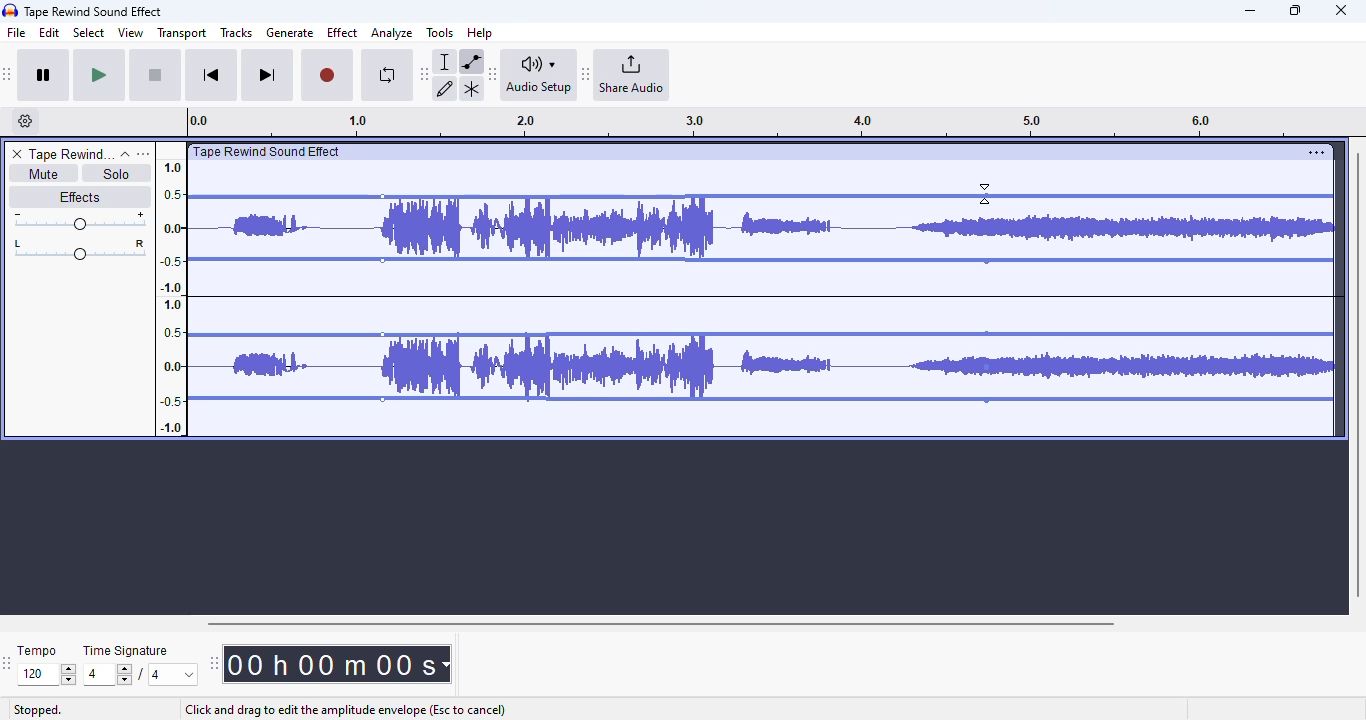 The image size is (1366, 720). What do you see at coordinates (382, 399) in the screenshot?
I see `control point` at bounding box center [382, 399].